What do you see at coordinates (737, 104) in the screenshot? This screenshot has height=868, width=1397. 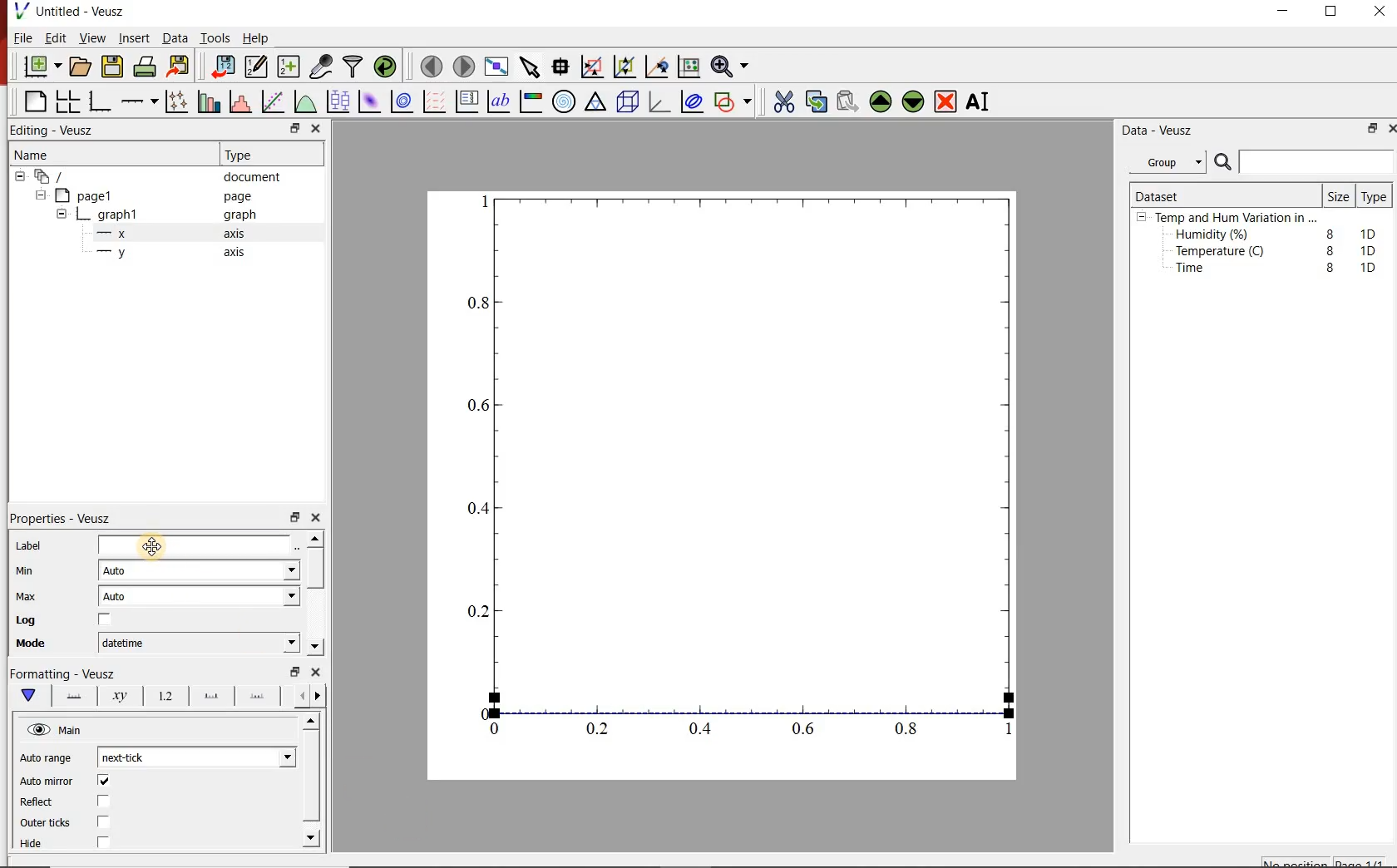 I see `add a shape to the plot` at bounding box center [737, 104].